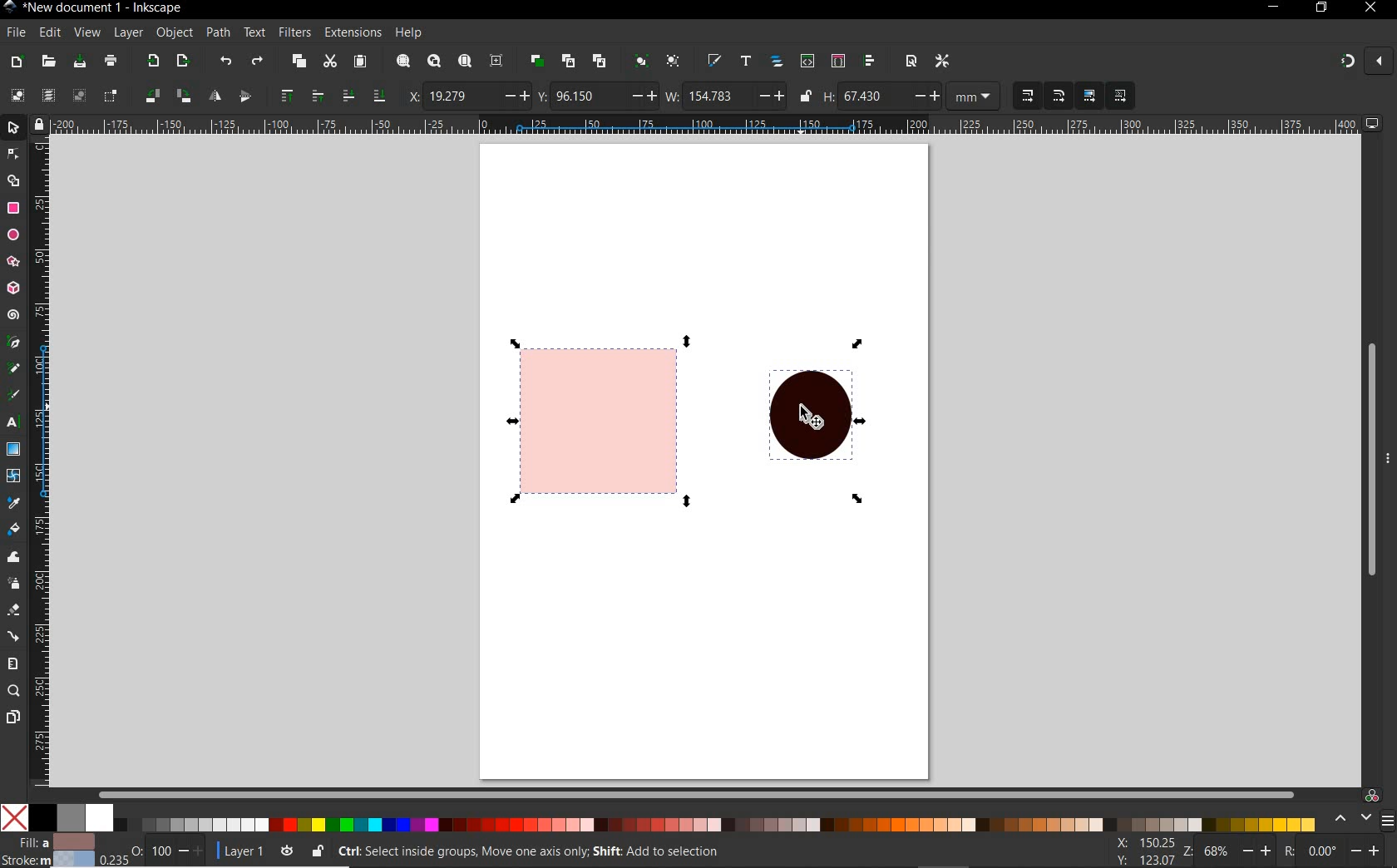 Image resolution: width=1397 pixels, height=868 pixels. Describe the element at coordinates (679, 854) in the screenshot. I see `no object selected` at that location.